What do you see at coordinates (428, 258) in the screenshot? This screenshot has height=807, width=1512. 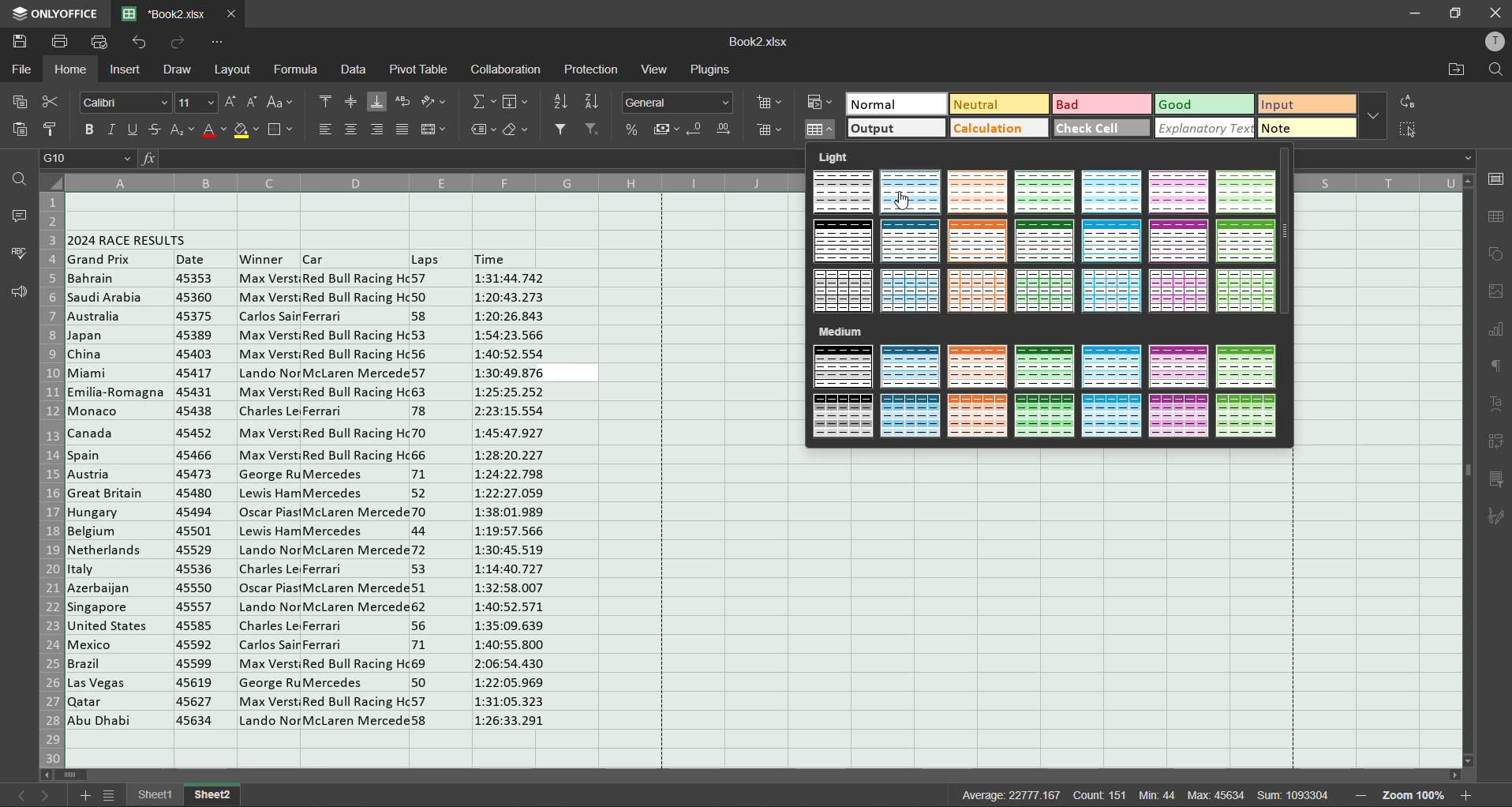 I see `` at bounding box center [428, 258].